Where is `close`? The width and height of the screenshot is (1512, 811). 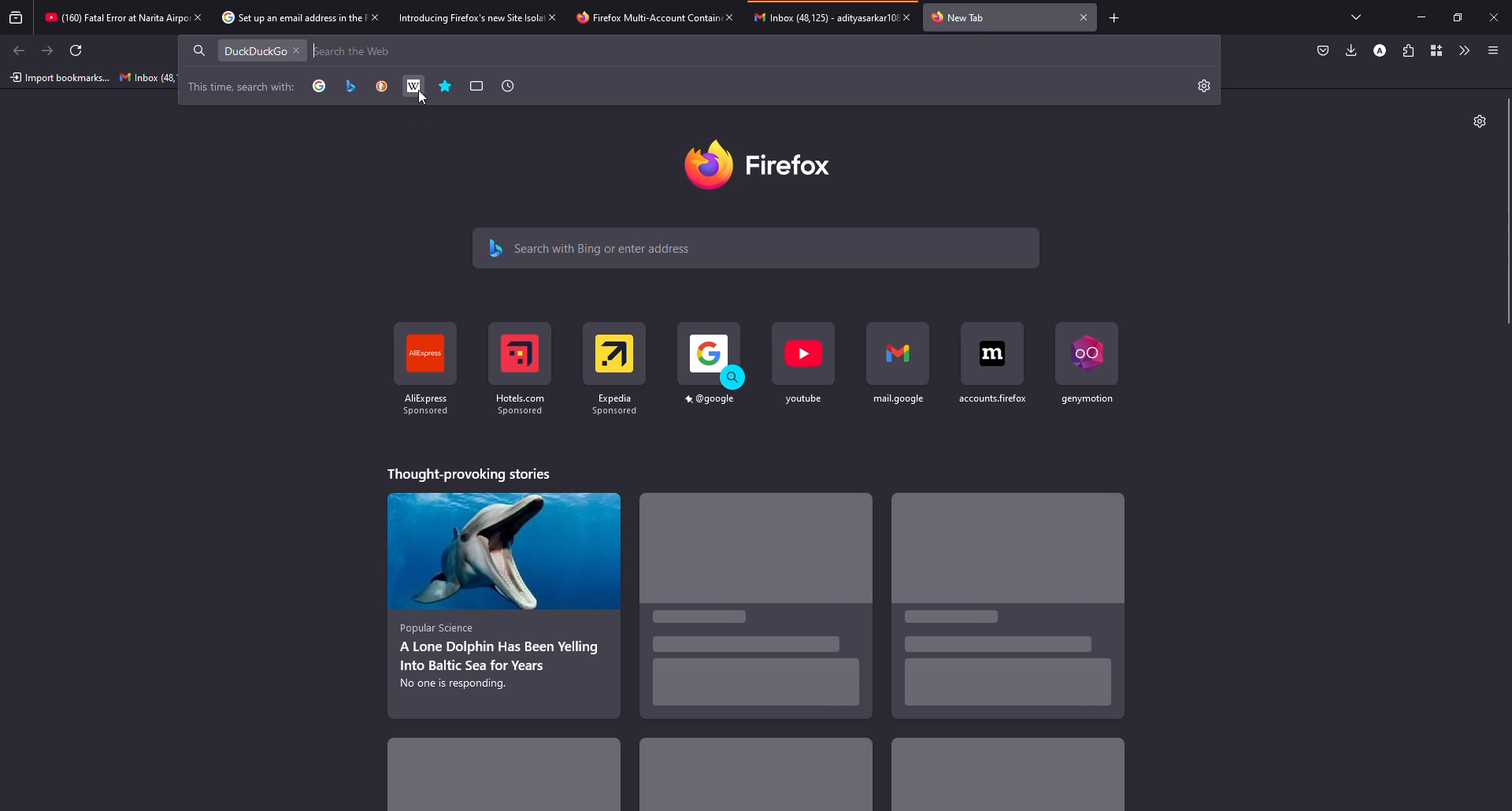
close is located at coordinates (297, 51).